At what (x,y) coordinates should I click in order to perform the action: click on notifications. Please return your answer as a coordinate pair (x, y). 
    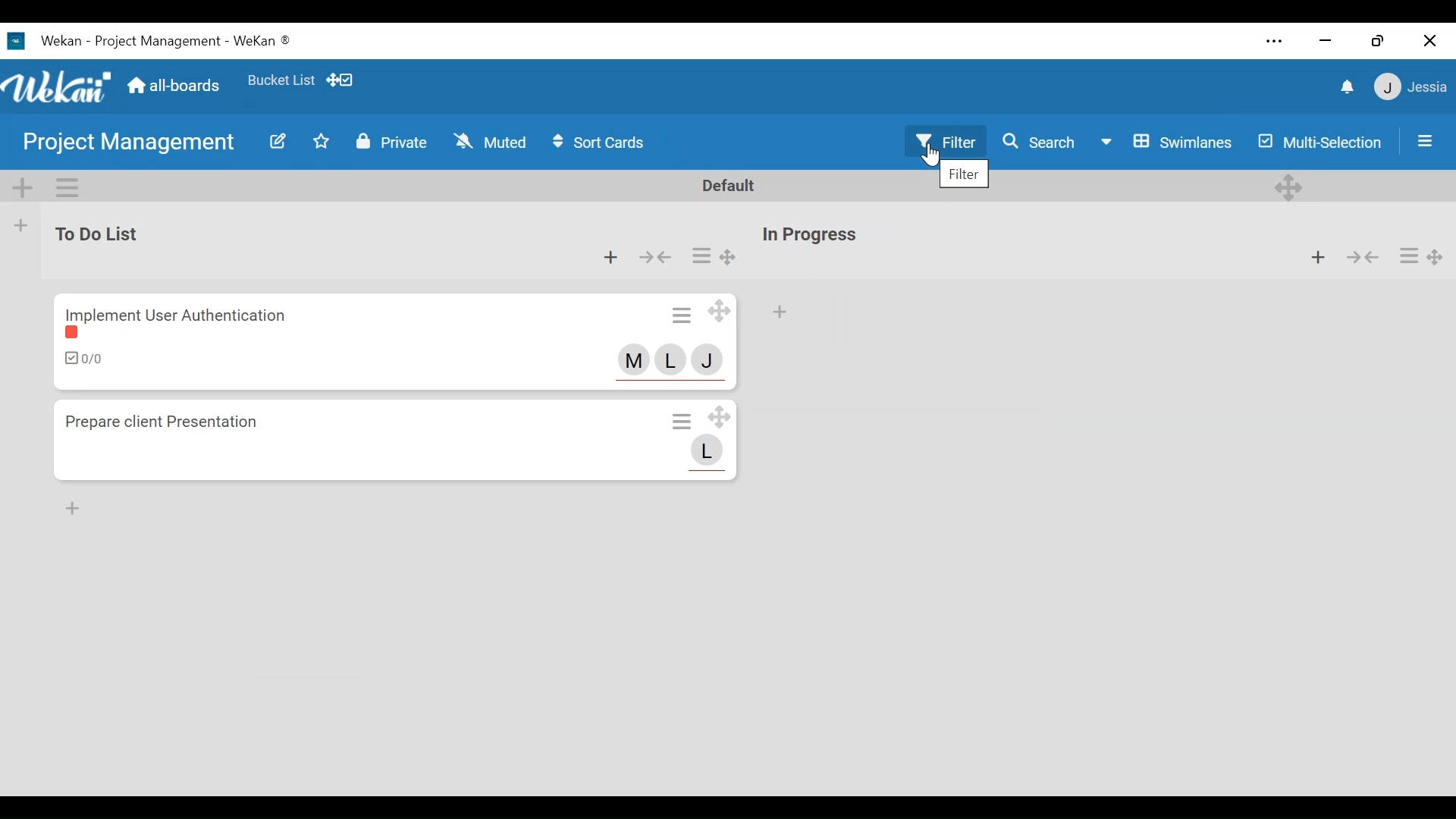
    Looking at the image, I should click on (1345, 86).